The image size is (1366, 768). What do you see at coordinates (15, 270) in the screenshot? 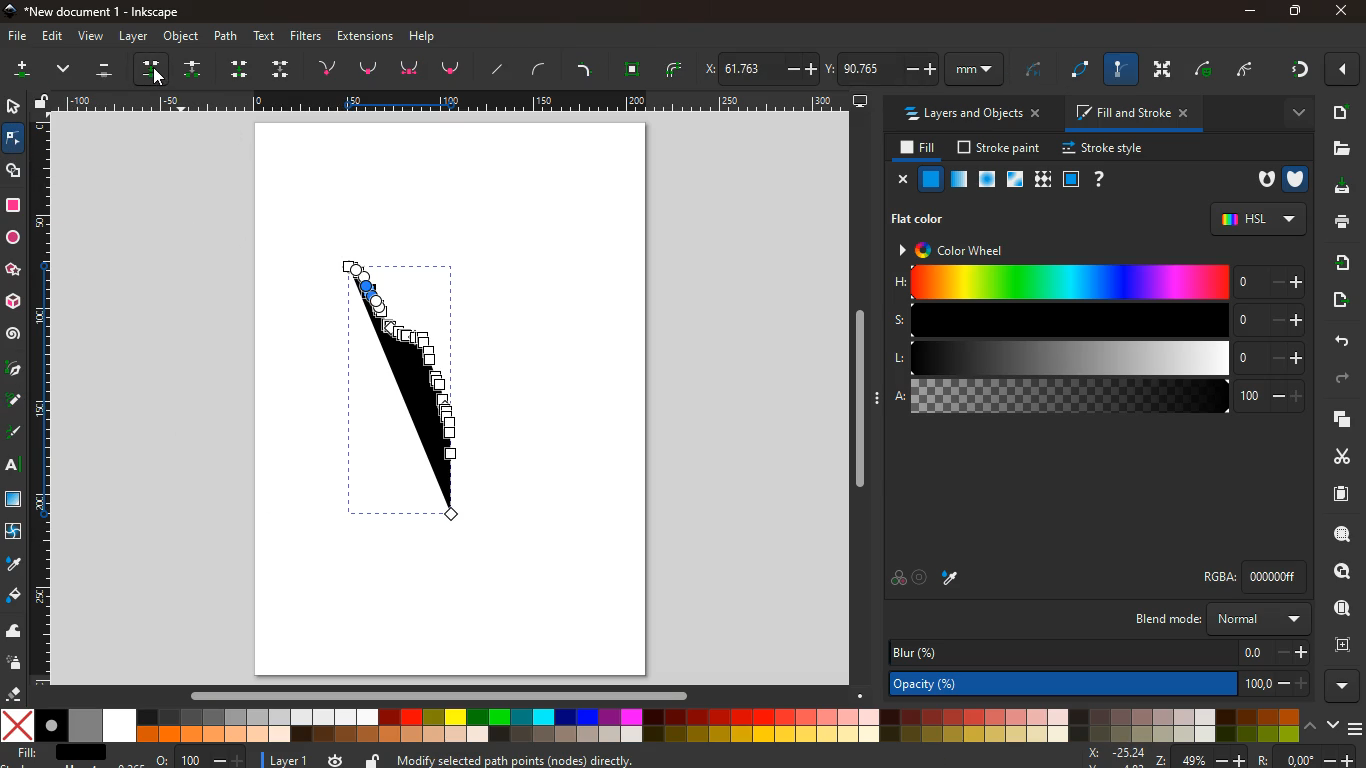
I see `star` at bounding box center [15, 270].